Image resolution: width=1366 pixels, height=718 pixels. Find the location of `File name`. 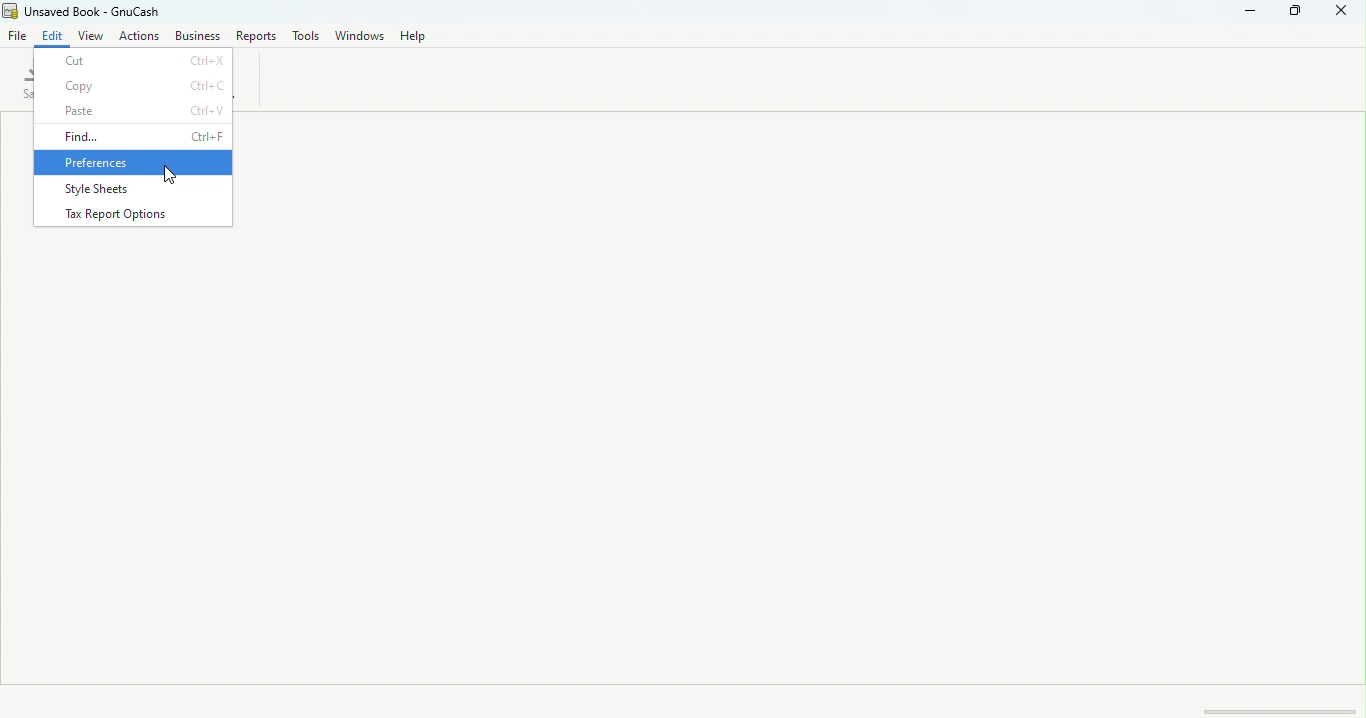

File name is located at coordinates (105, 11).